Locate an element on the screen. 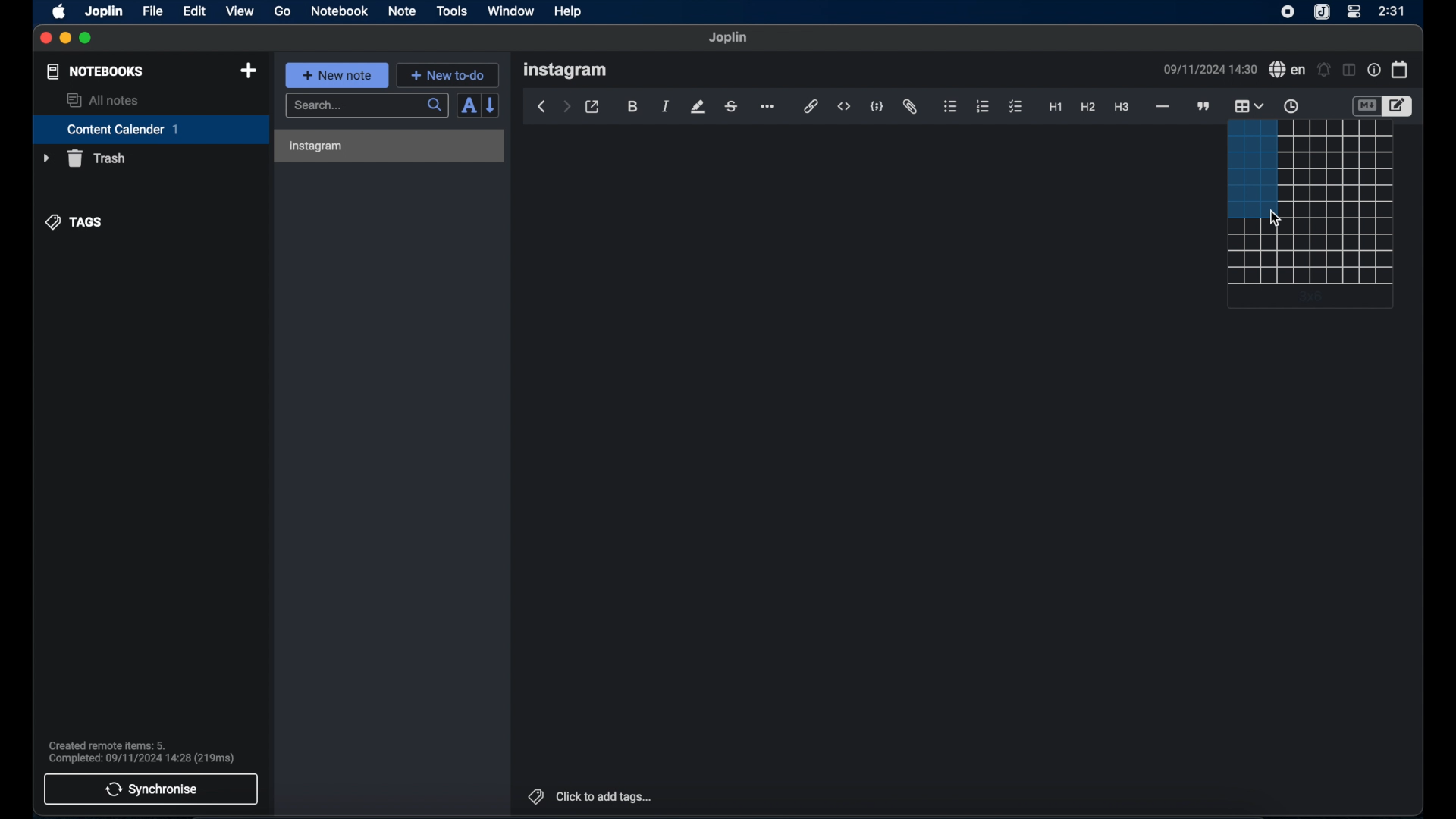 Image resolution: width=1456 pixels, height=819 pixels. 3 x 6 is located at coordinates (1314, 297).